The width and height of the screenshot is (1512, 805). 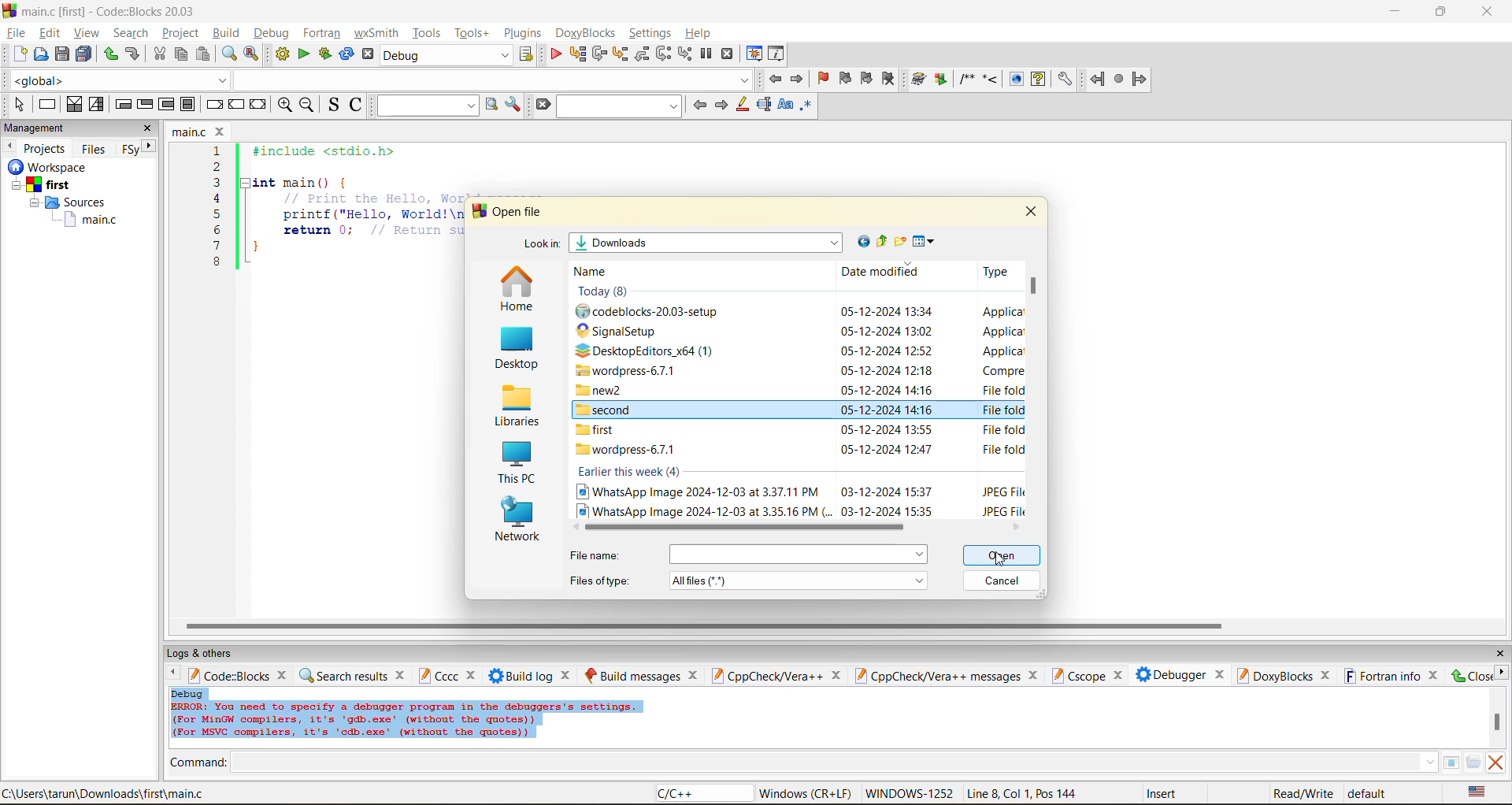 What do you see at coordinates (84, 54) in the screenshot?
I see `save all` at bounding box center [84, 54].